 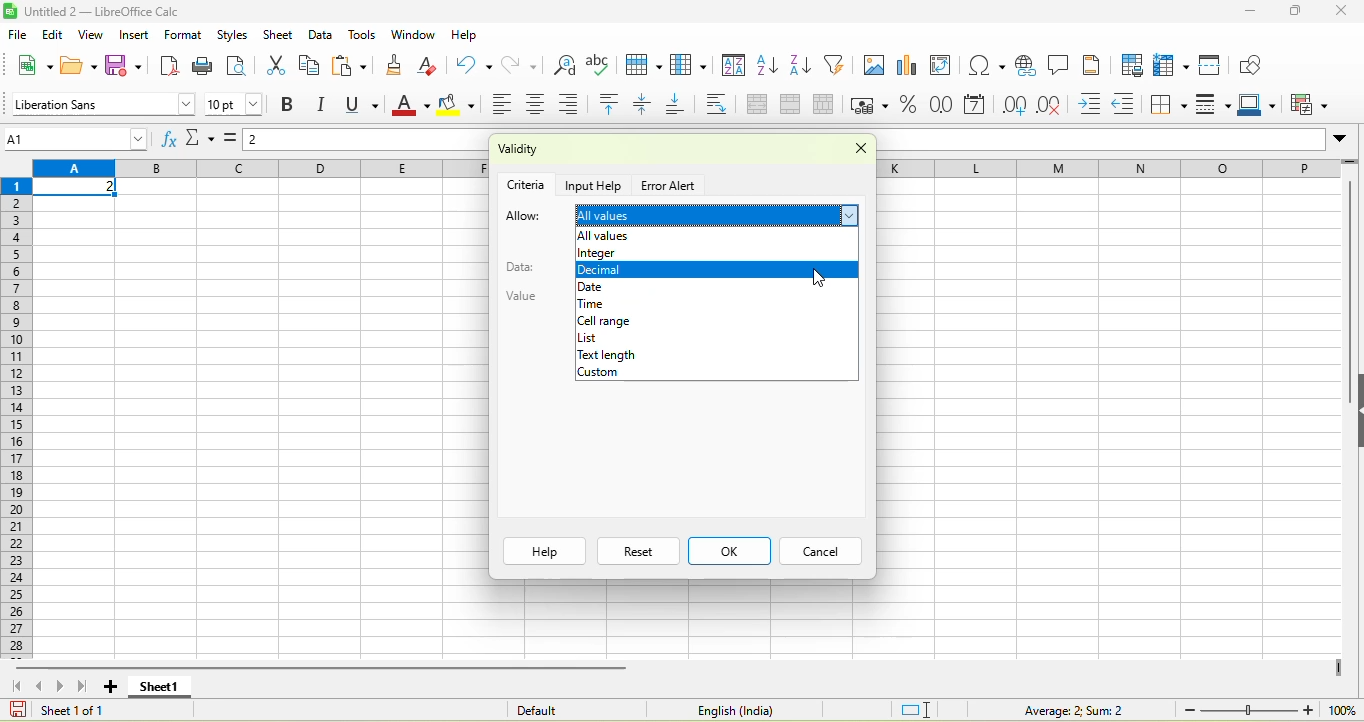 What do you see at coordinates (612, 105) in the screenshot?
I see `align top` at bounding box center [612, 105].